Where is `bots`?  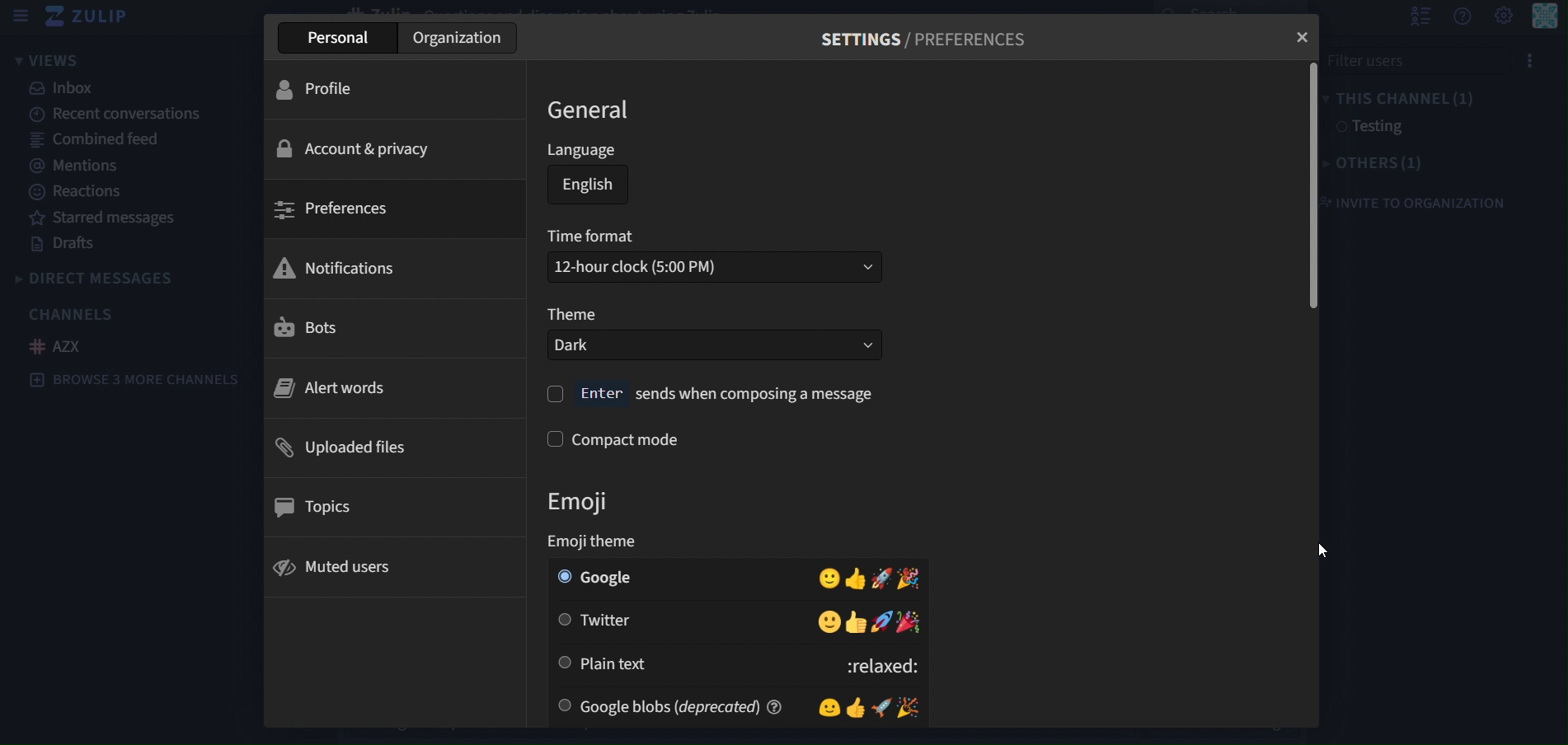
bots is located at coordinates (307, 329).